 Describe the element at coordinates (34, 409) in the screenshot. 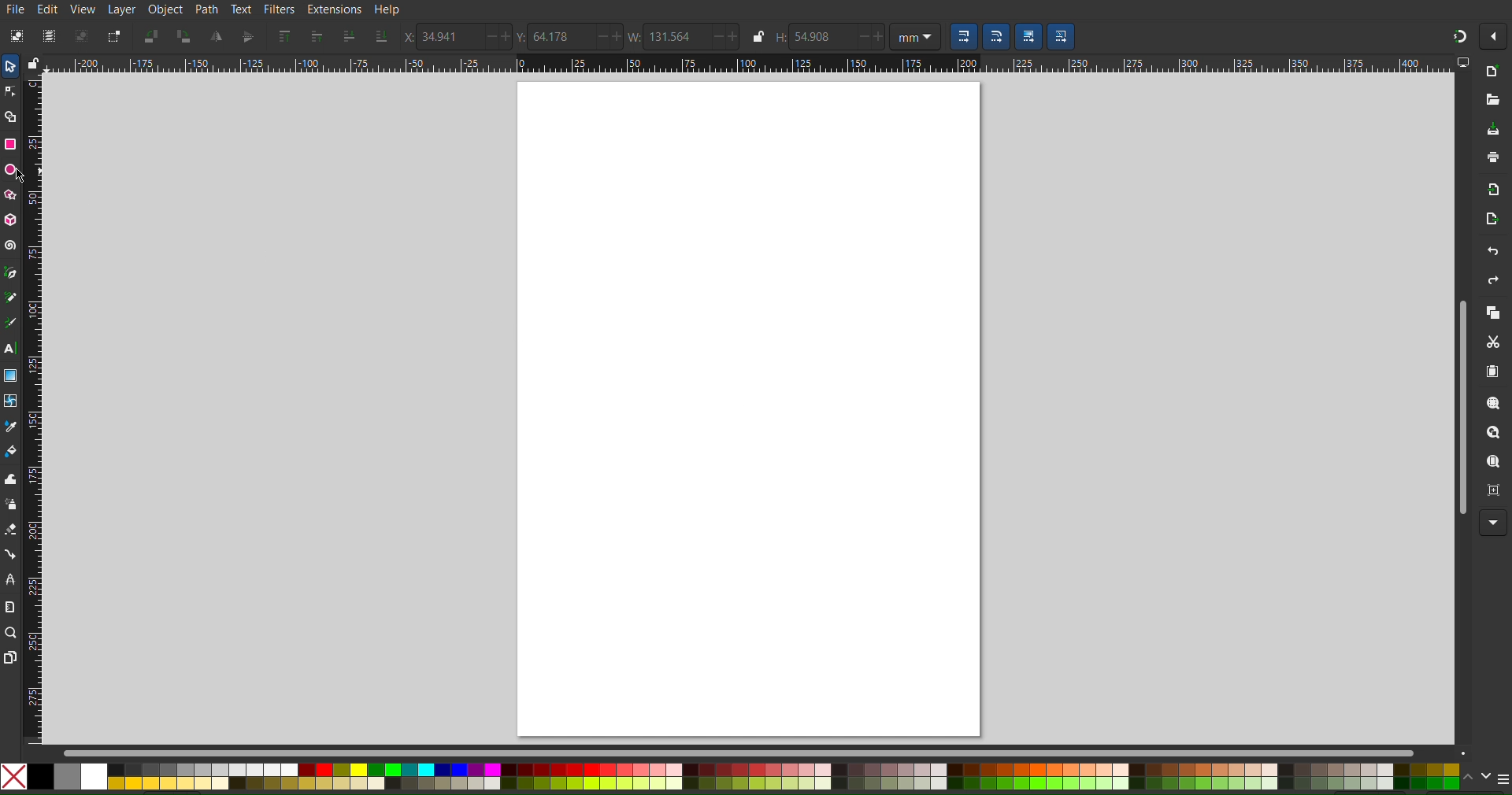

I see `Vertical Ruler` at that location.